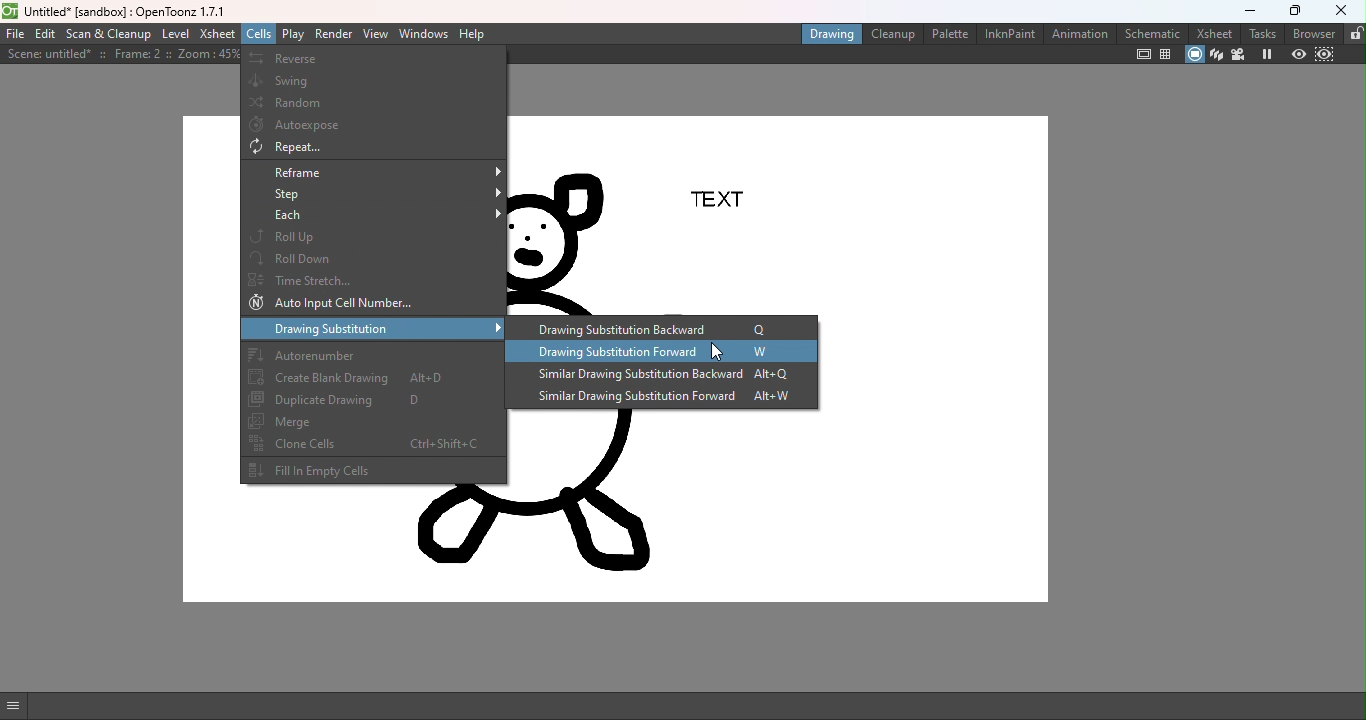  I want to click on browser, so click(1309, 34).